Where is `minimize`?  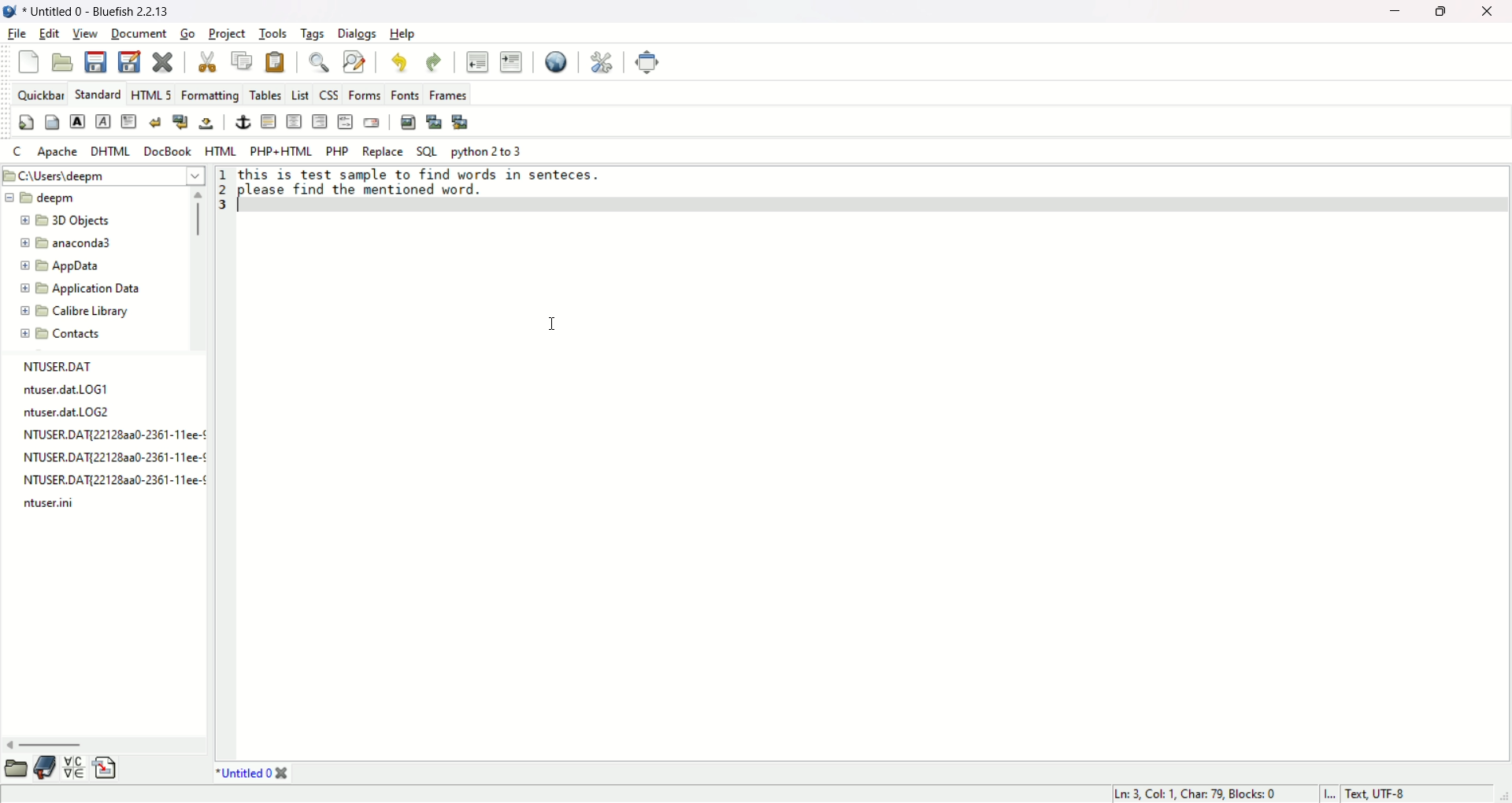
minimize is located at coordinates (1391, 13).